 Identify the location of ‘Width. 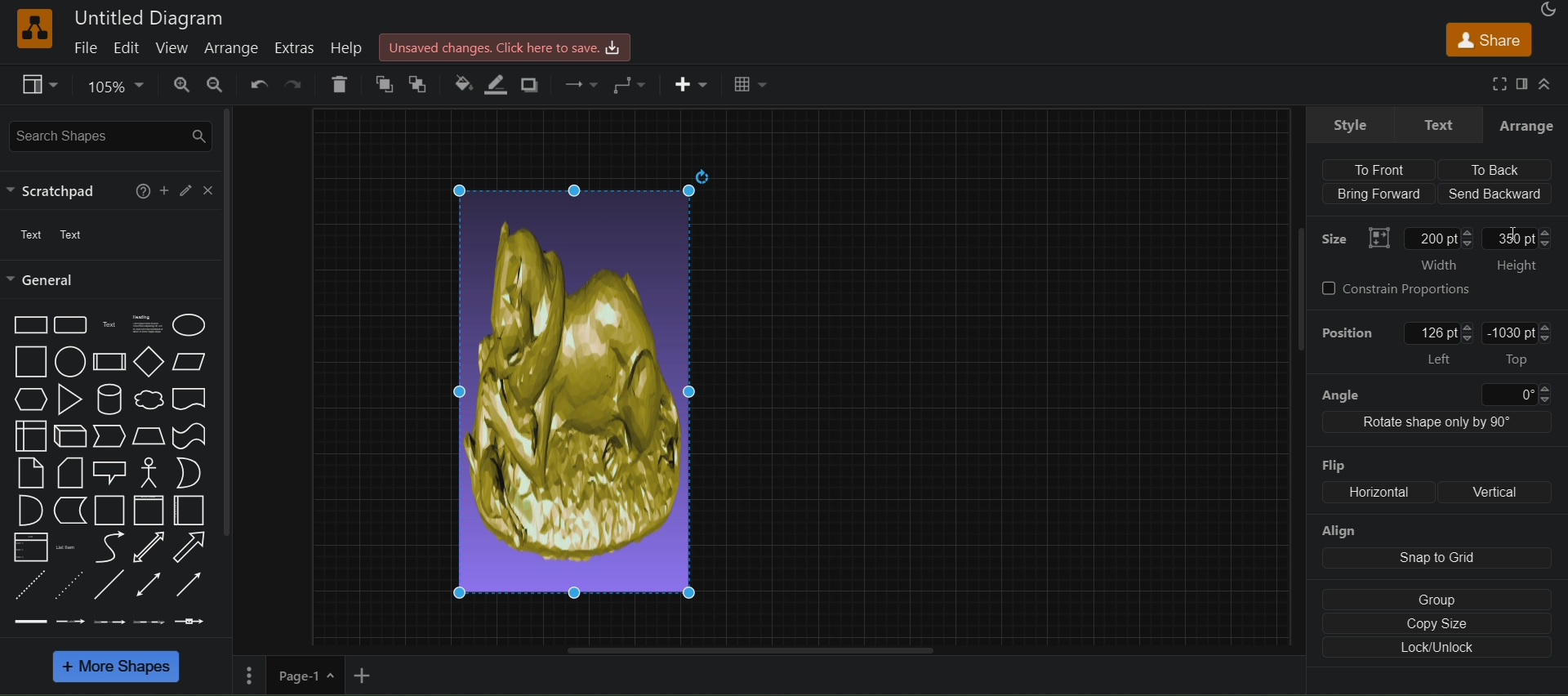
(1436, 265).